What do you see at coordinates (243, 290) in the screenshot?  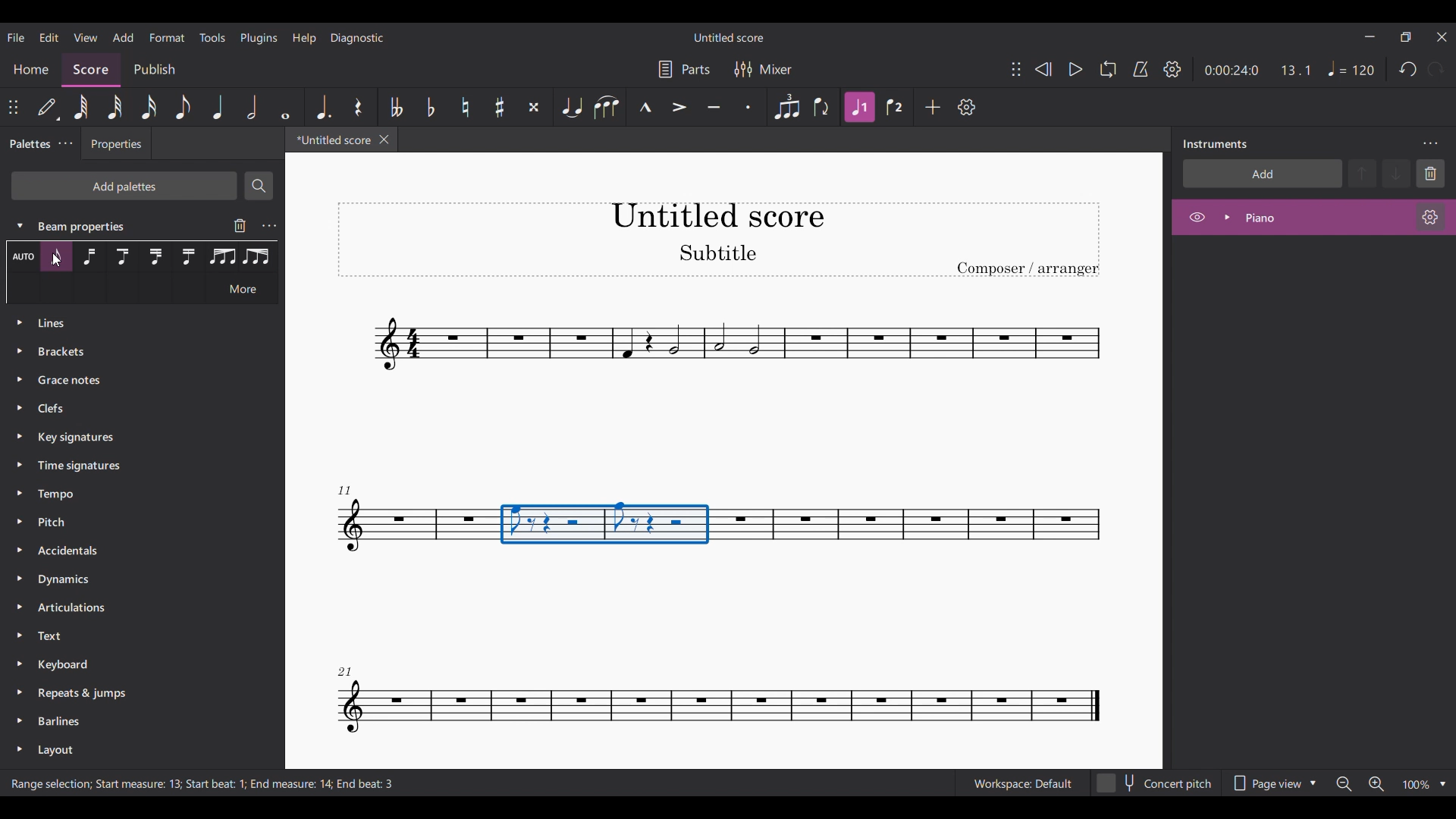 I see `More` at bounding box center [243, 290].